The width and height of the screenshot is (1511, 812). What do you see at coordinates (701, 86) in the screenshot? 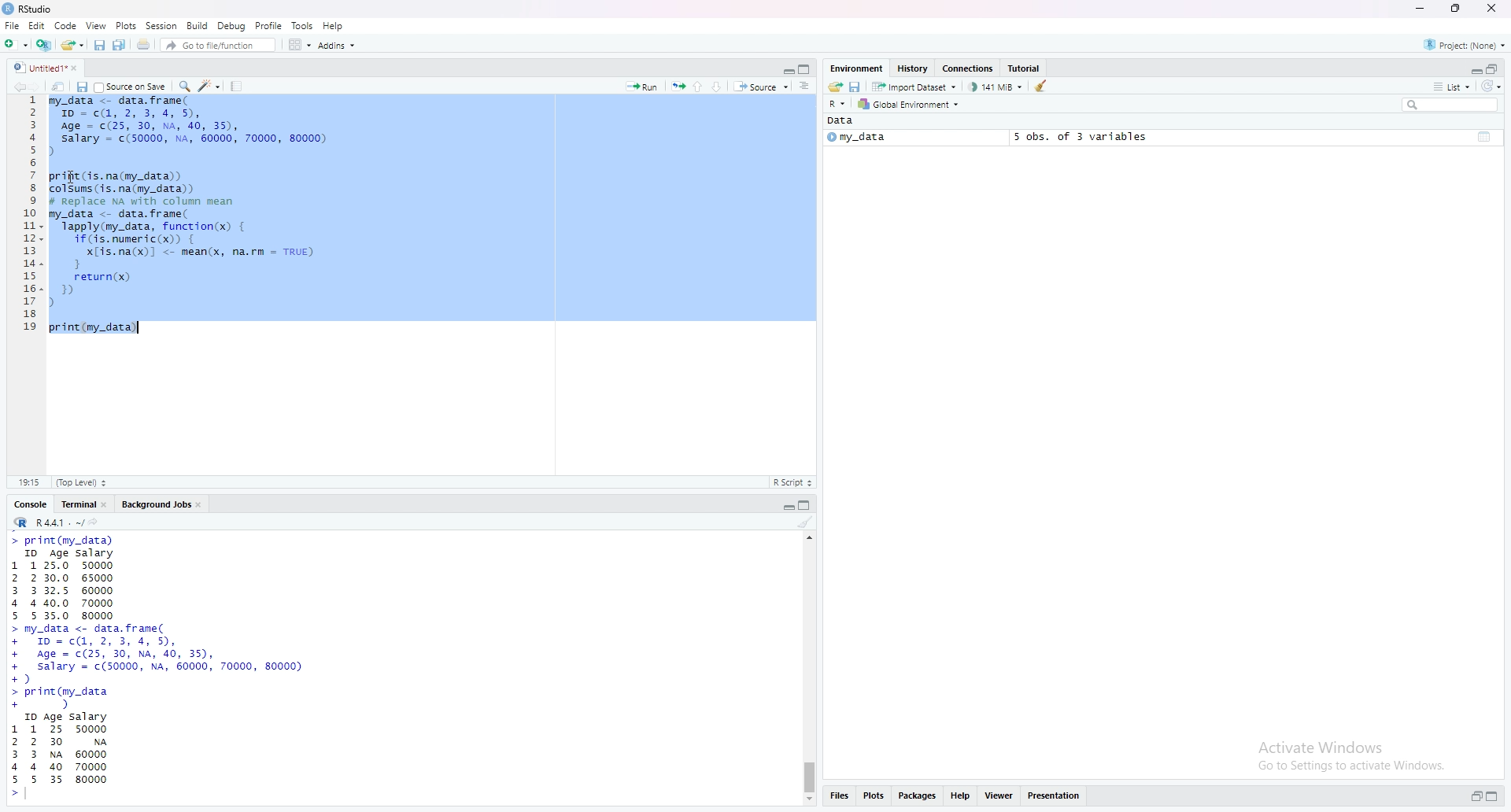
I see `go to the previous section` at bounding box center [701, 86].